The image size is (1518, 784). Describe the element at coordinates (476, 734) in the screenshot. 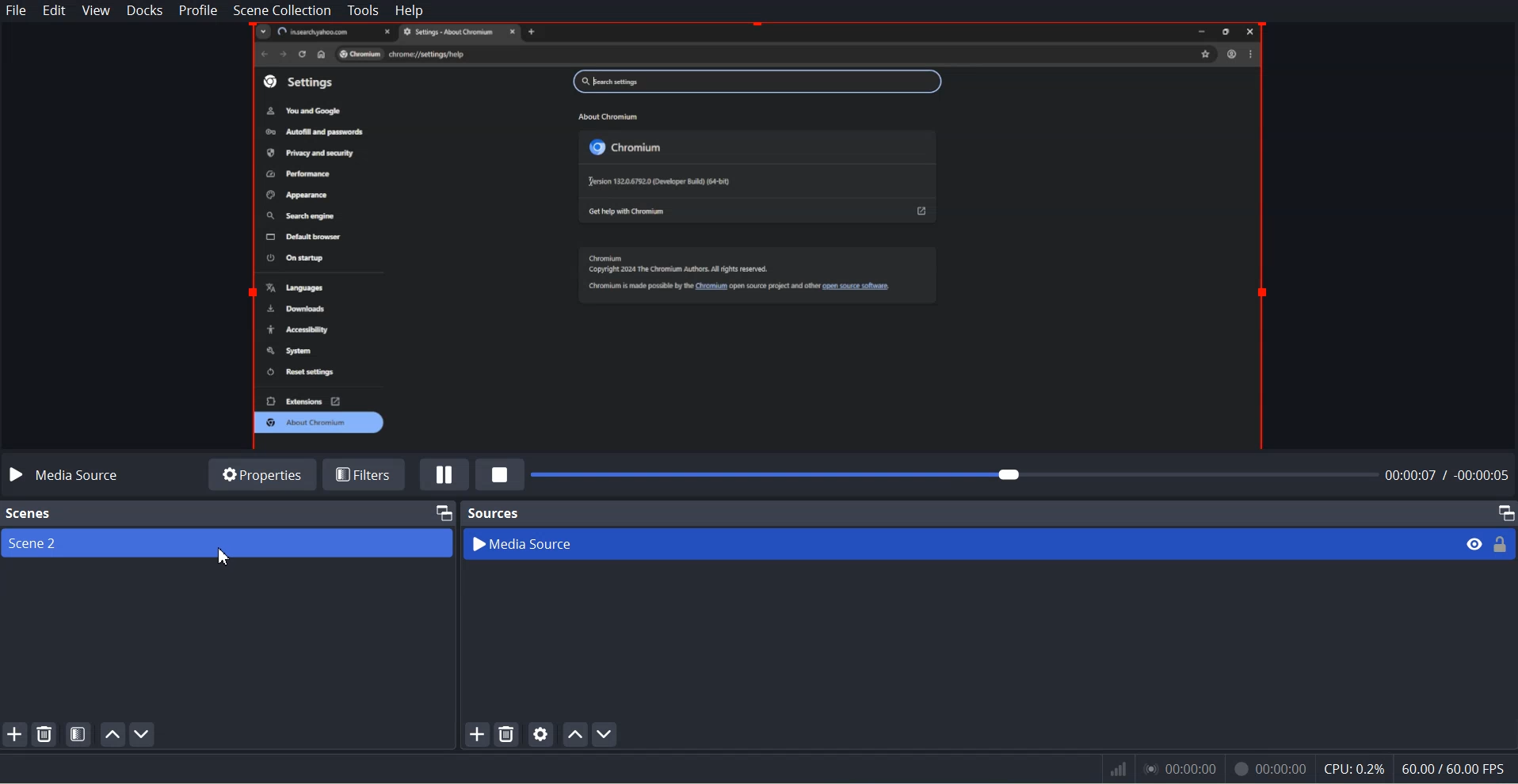

I see `add source` at that location.